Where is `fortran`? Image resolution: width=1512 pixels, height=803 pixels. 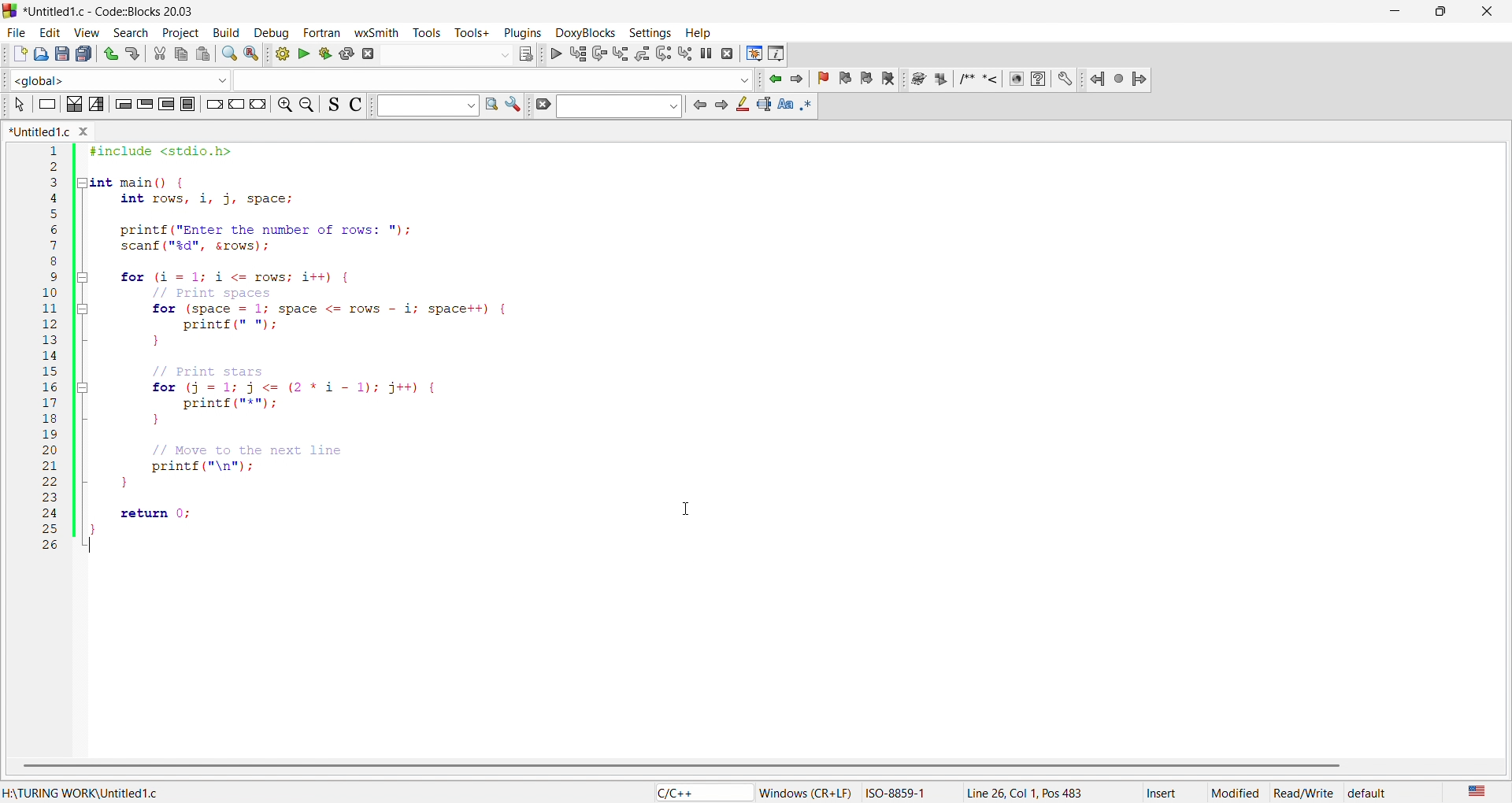 fortran is located at coordinates (323, 31).